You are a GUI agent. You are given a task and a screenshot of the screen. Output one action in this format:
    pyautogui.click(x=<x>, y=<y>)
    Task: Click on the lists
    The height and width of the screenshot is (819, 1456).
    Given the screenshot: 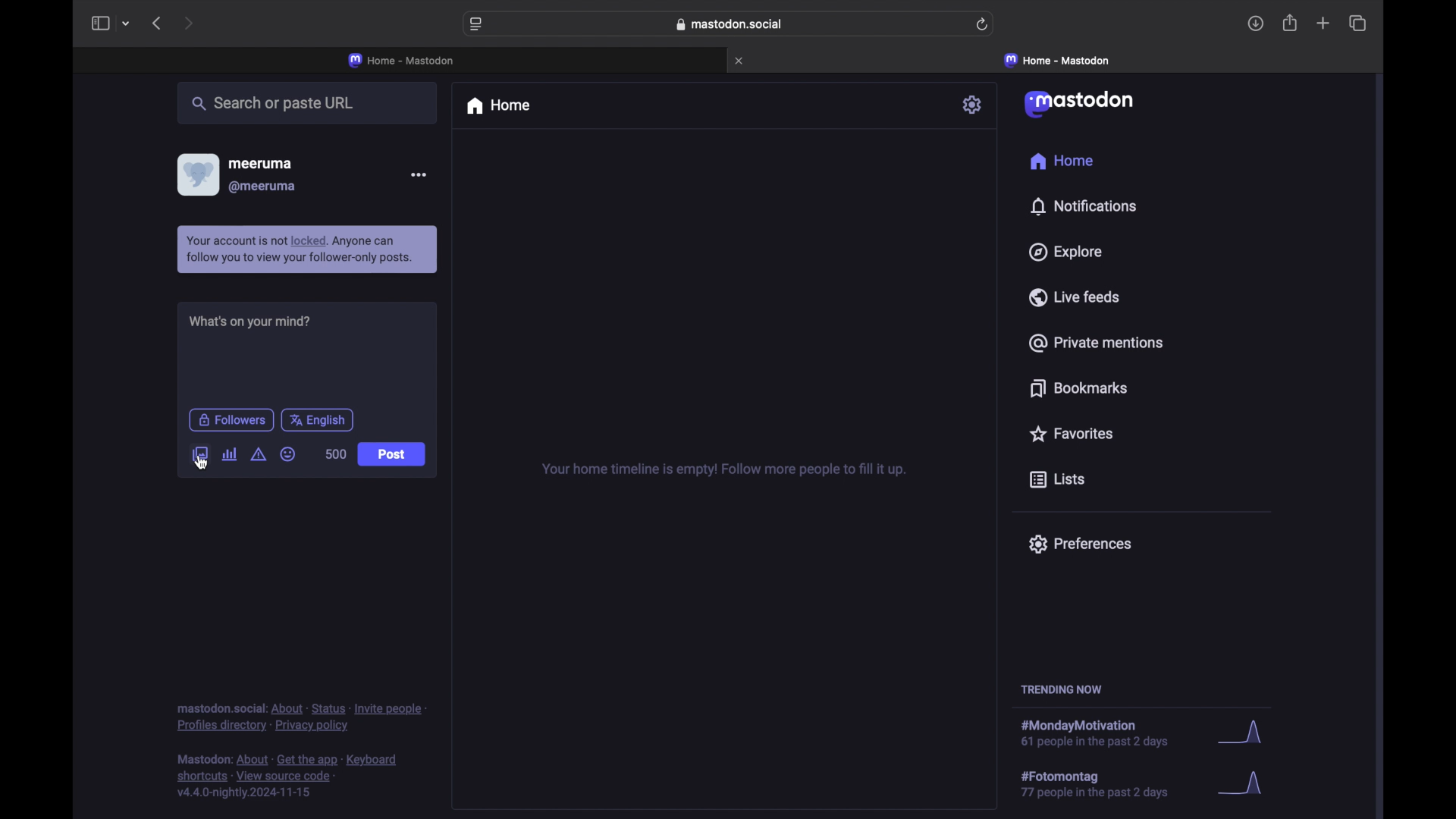 What is the action you would take?
    pyautogui.click(x=1056, y=479)
    